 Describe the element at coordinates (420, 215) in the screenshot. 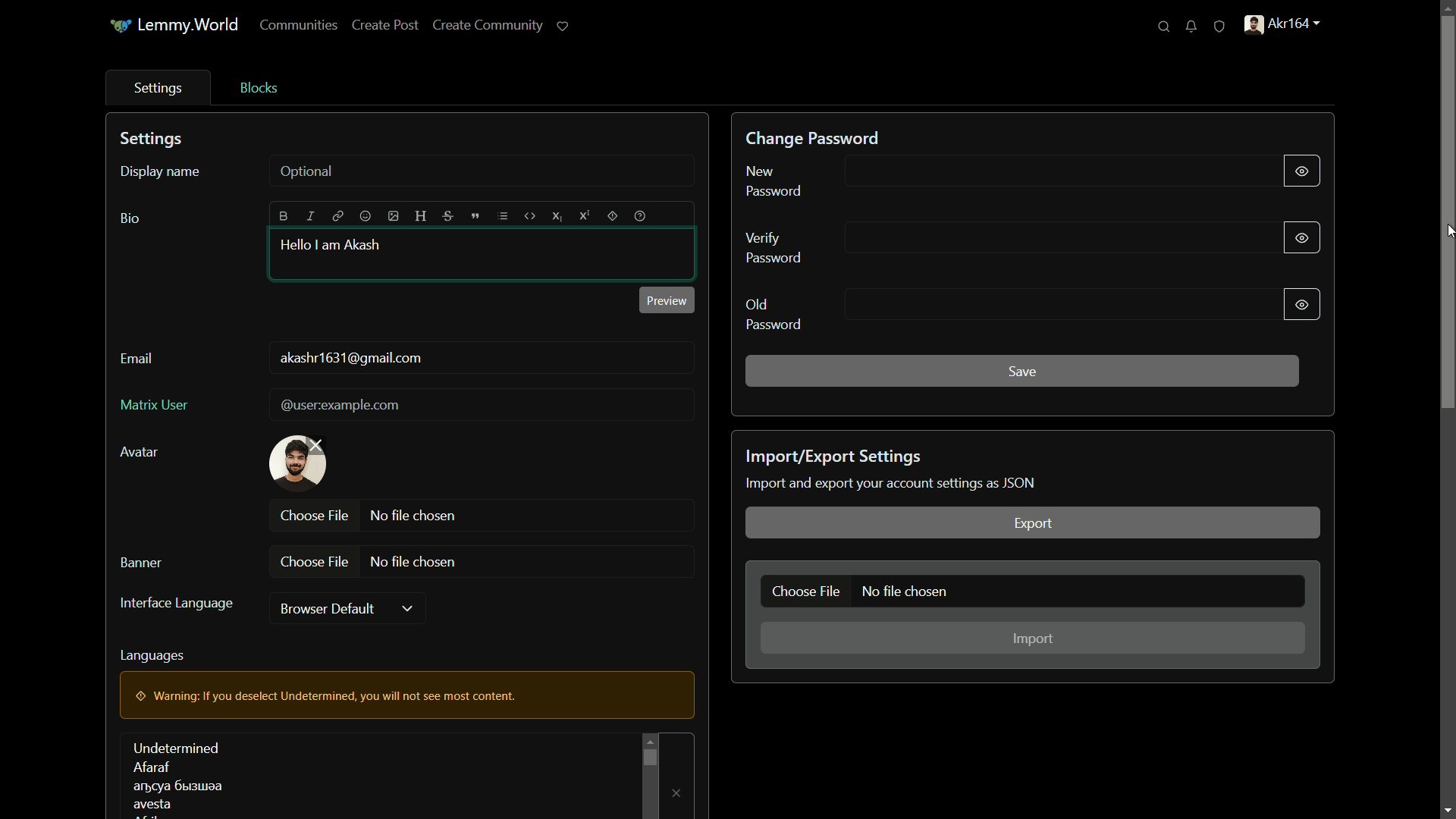

I see `header` at that location.